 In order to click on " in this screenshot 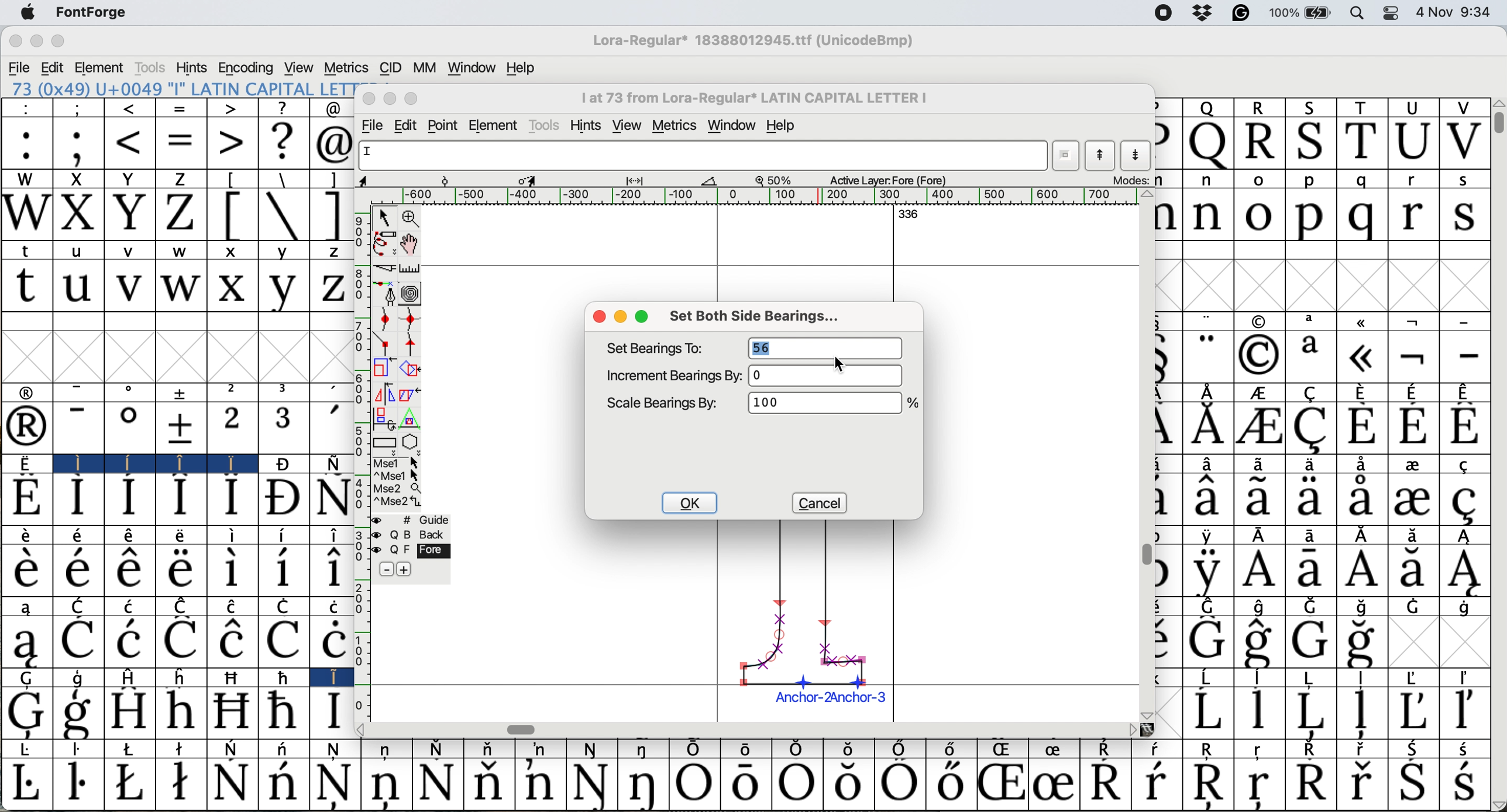, I will do `click(1210, 320)`.